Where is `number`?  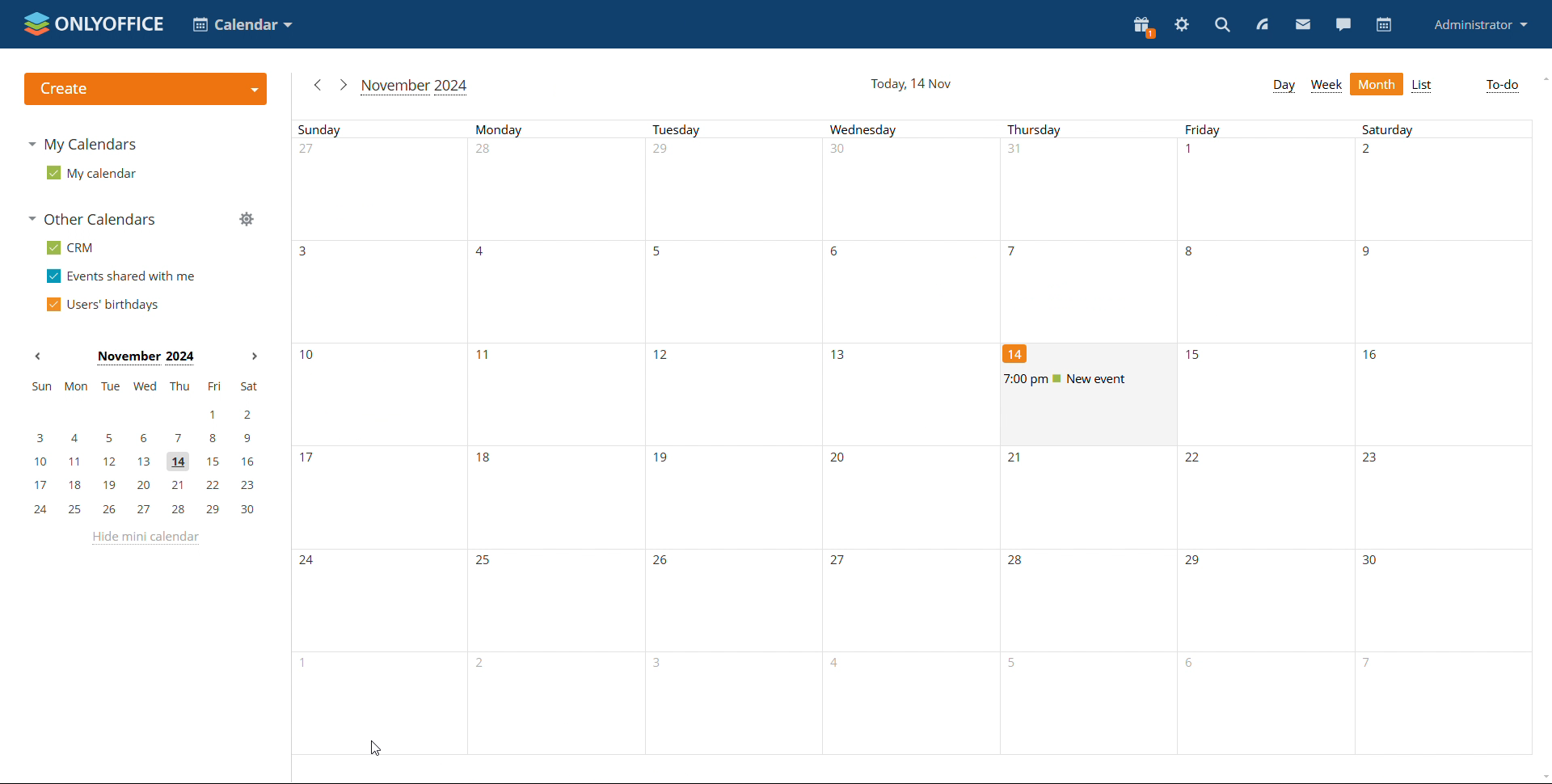 number is located at coordinates (314, 152).